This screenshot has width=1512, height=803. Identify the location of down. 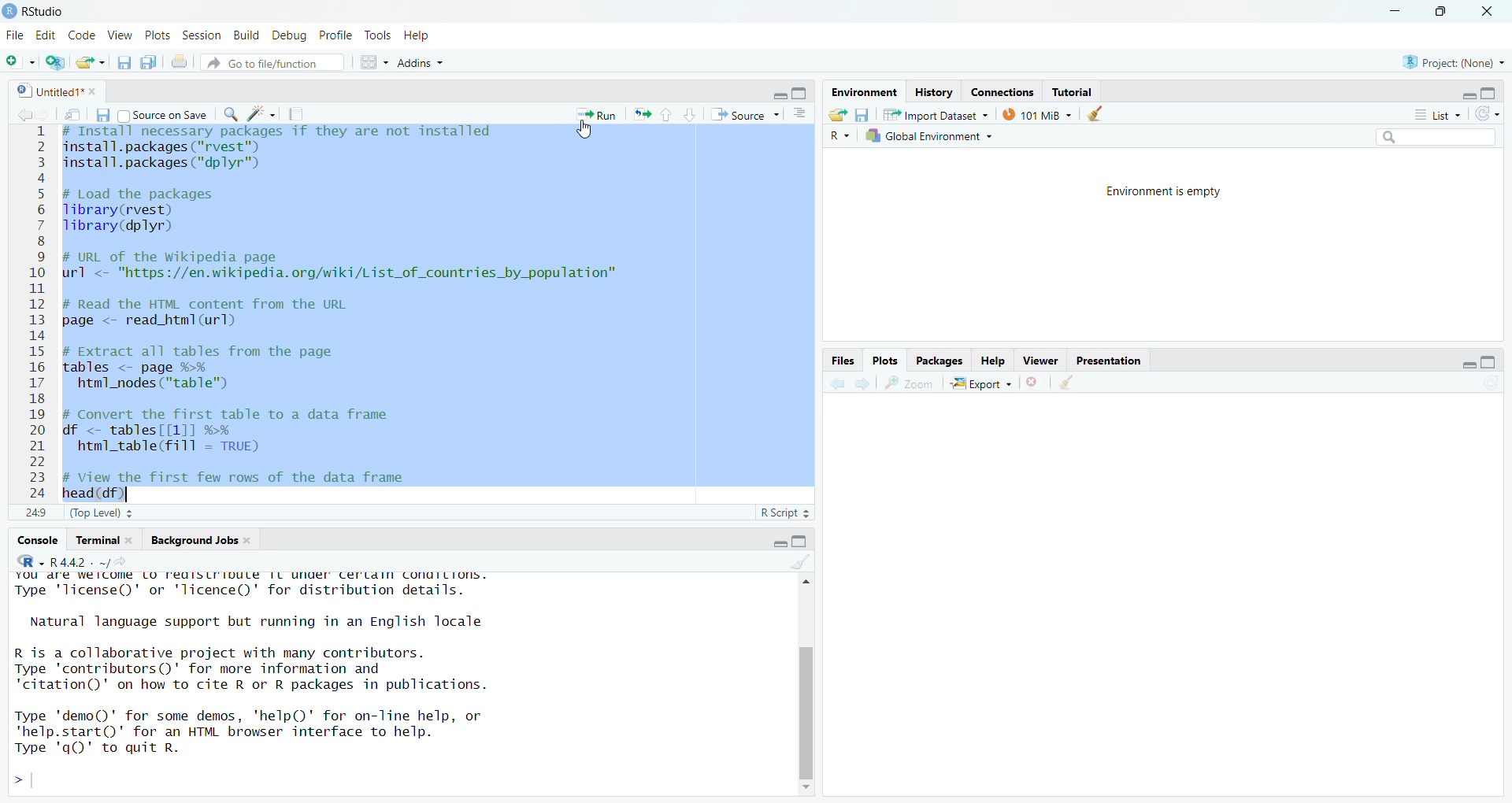
(691, 115).